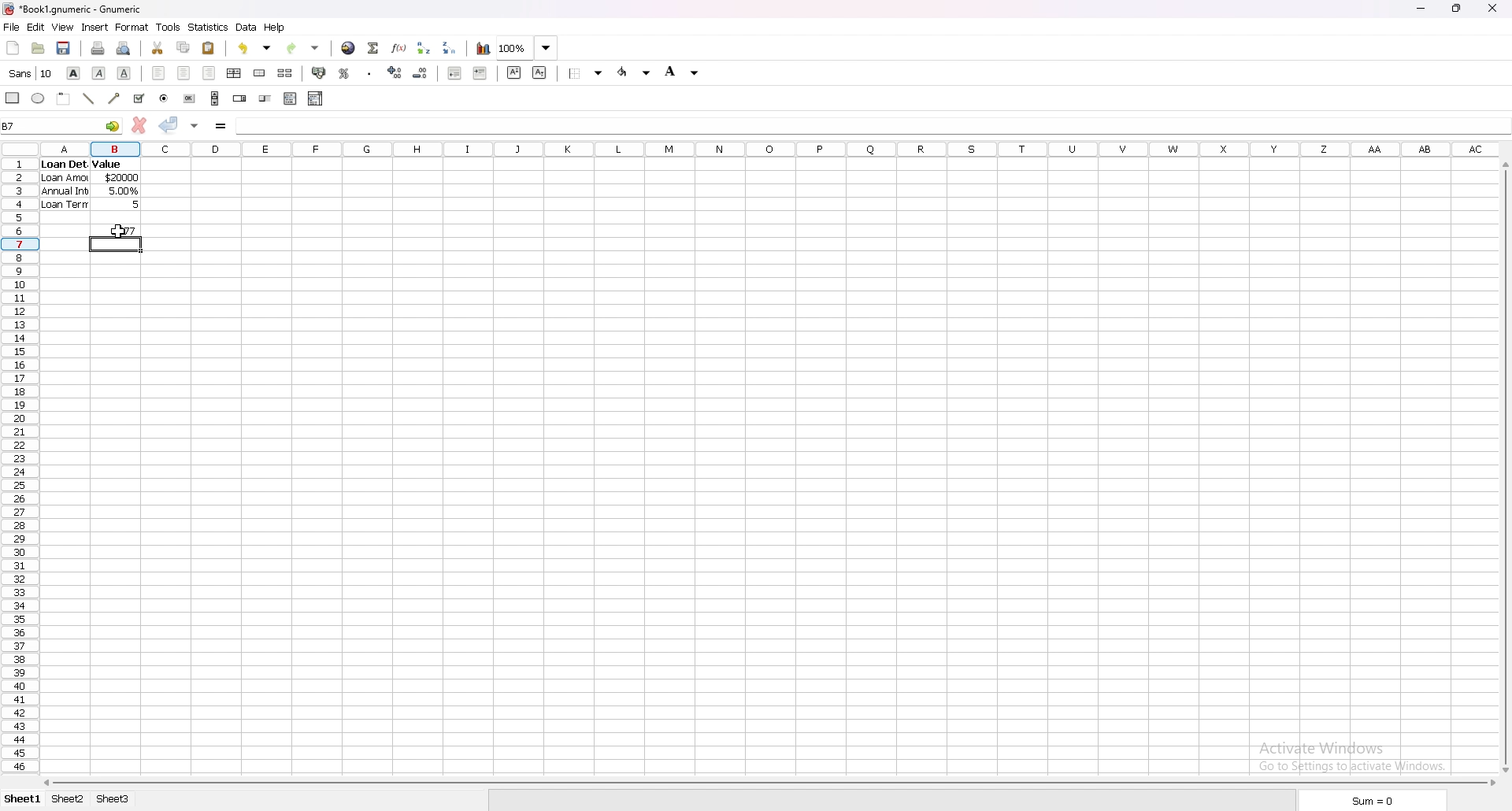 The width and height of the screenshot is (1512, 811). I want to click on sort ascending, so click(424, 48).